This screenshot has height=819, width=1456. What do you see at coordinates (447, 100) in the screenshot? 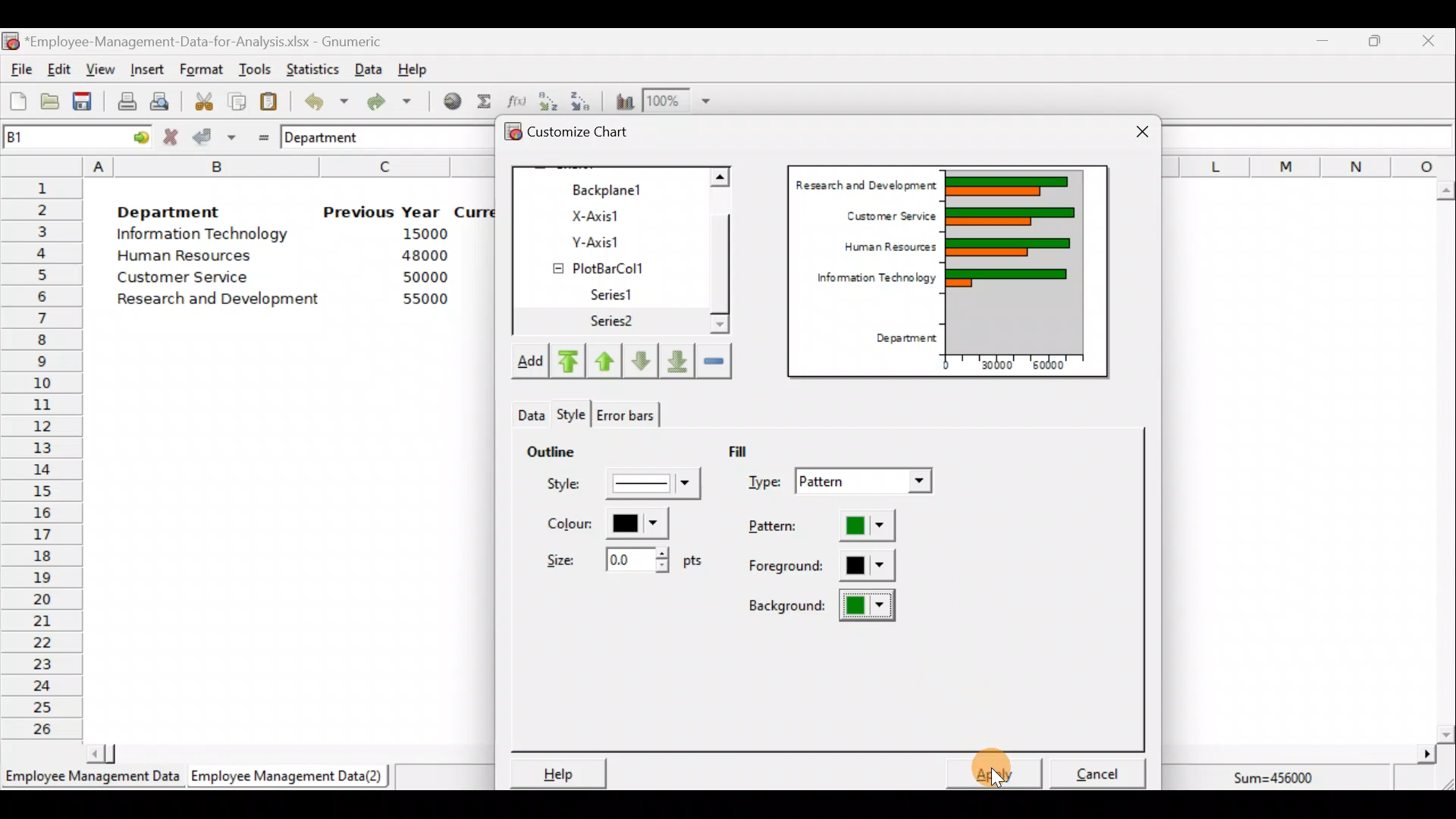
I see `Insert hyperlink` at bounding box center [447, 100].